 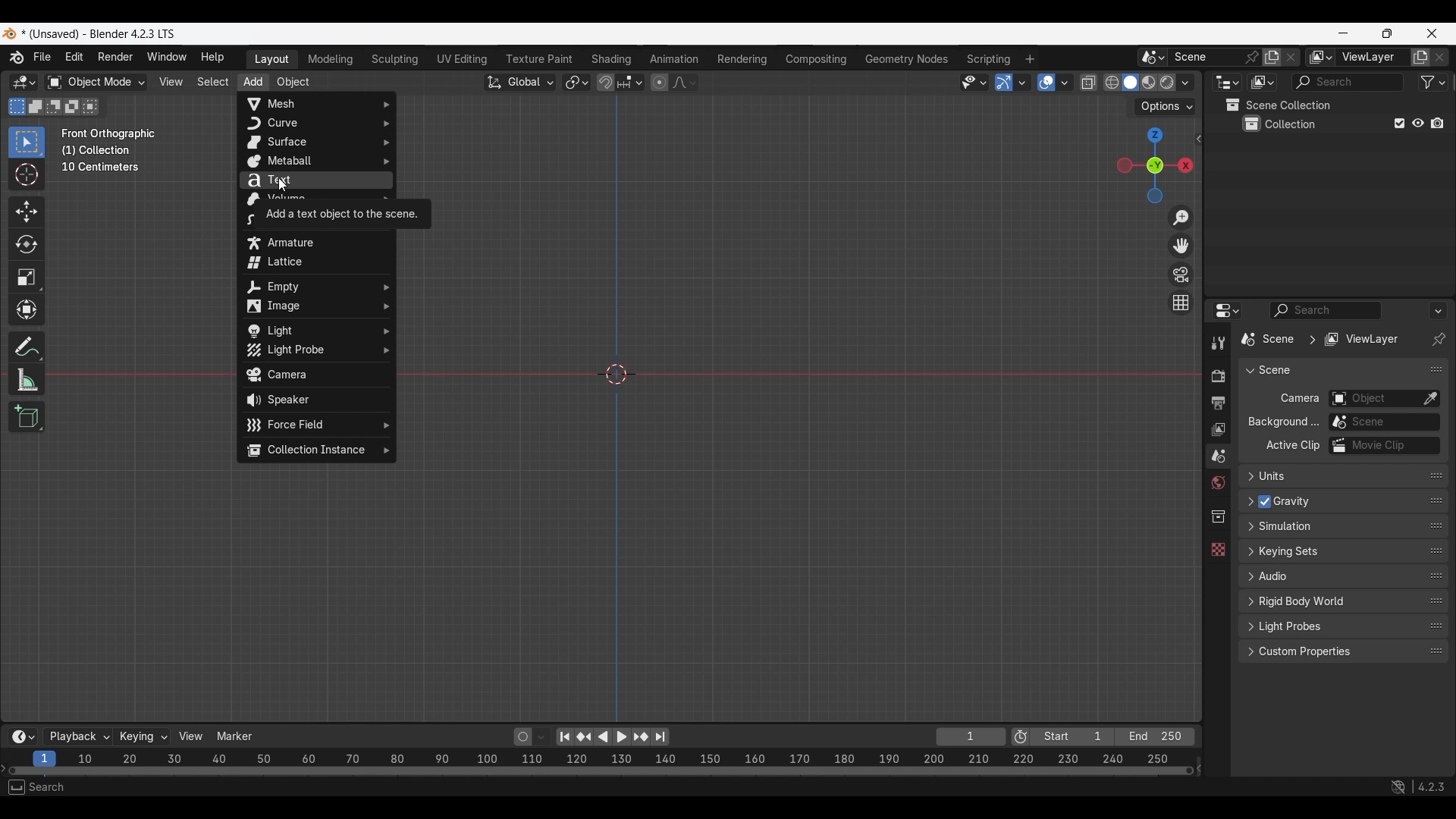 I want to click on Auto keying , so click(x=523, y=737).